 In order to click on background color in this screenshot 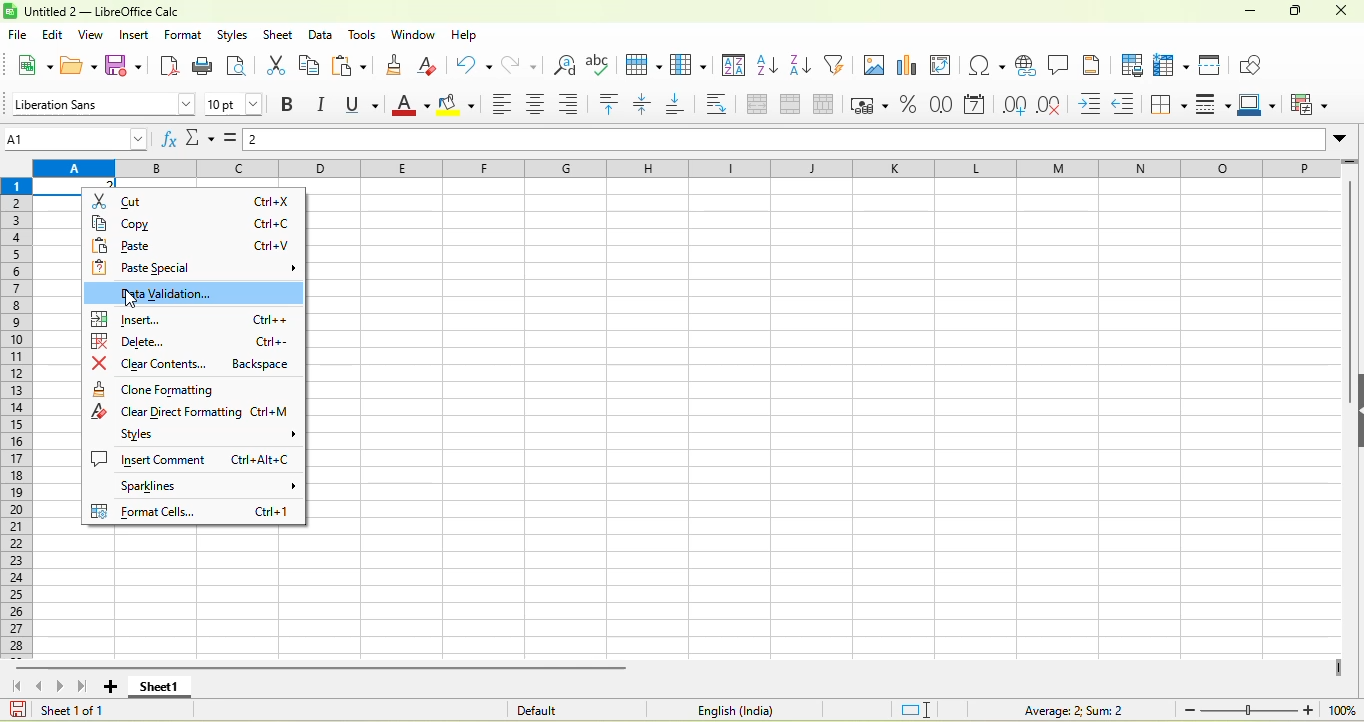, I will do `click(457, 105)`.